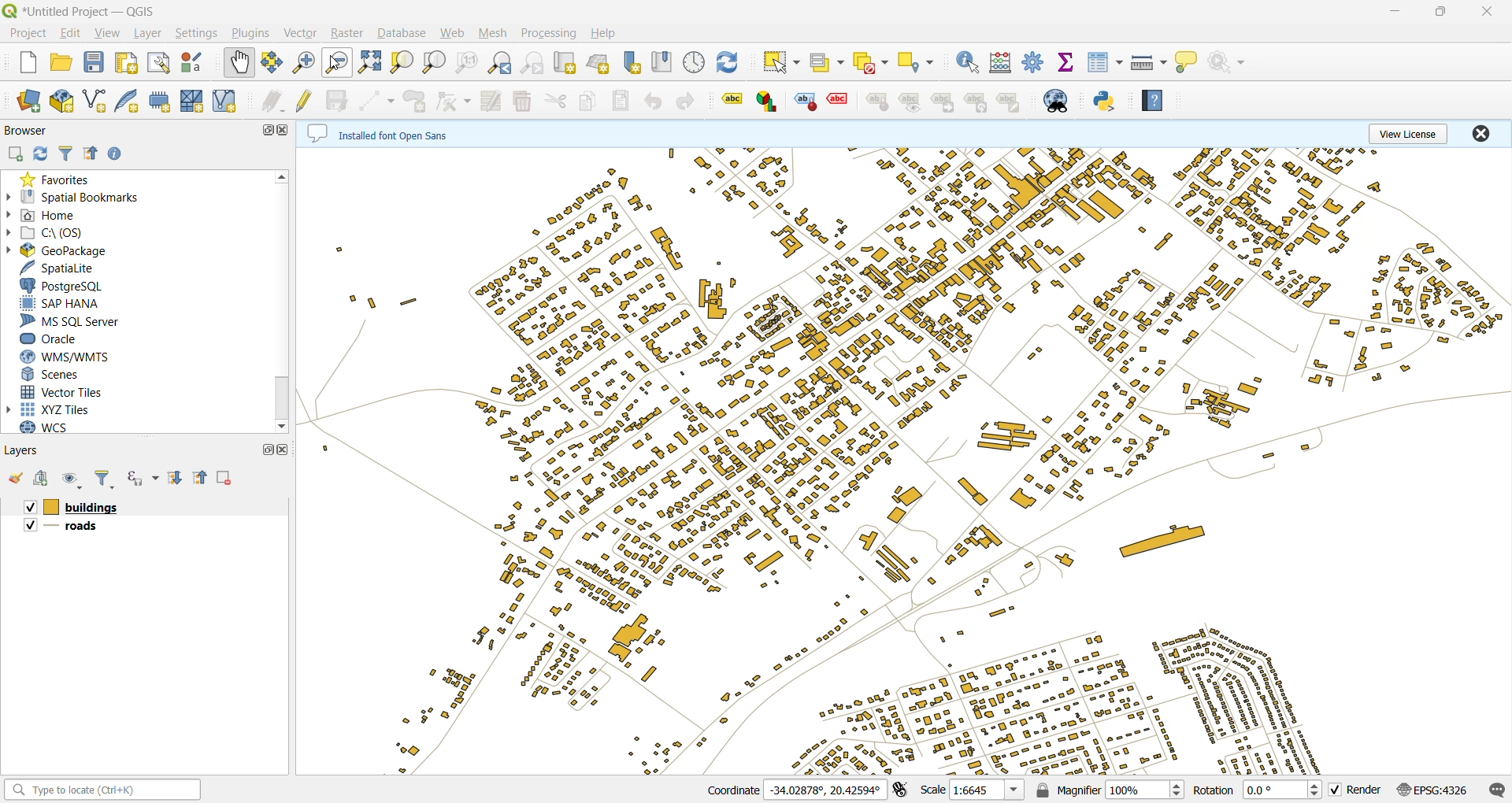 The height and width of the screenshot is (803, 1512). What do you see at coordinates (1034, 61) in the screenshot?
I see `toolbox` at bounding box center [1034, 61].